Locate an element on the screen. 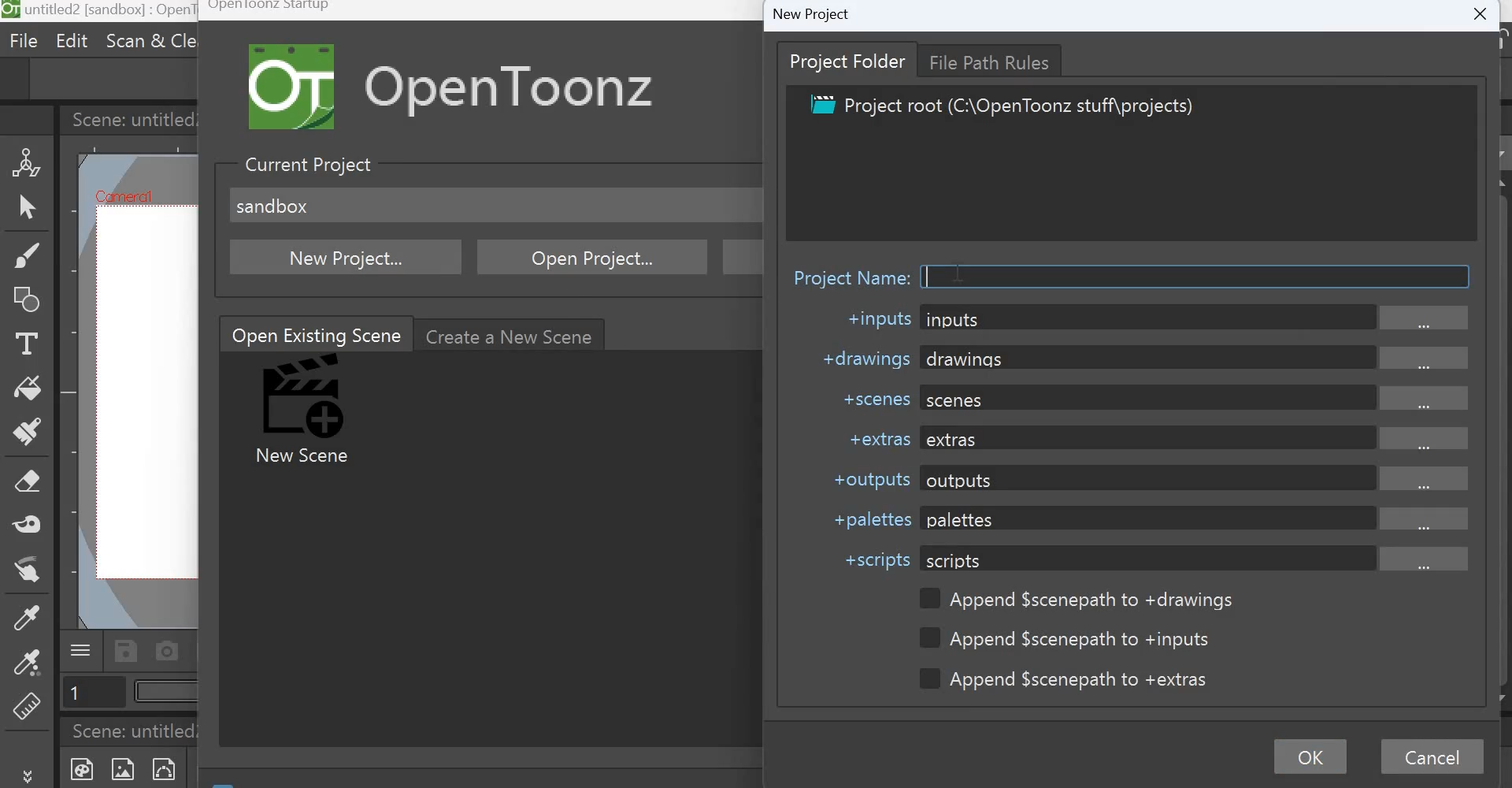  Style Picker tool is located at coordinates (24, 623).